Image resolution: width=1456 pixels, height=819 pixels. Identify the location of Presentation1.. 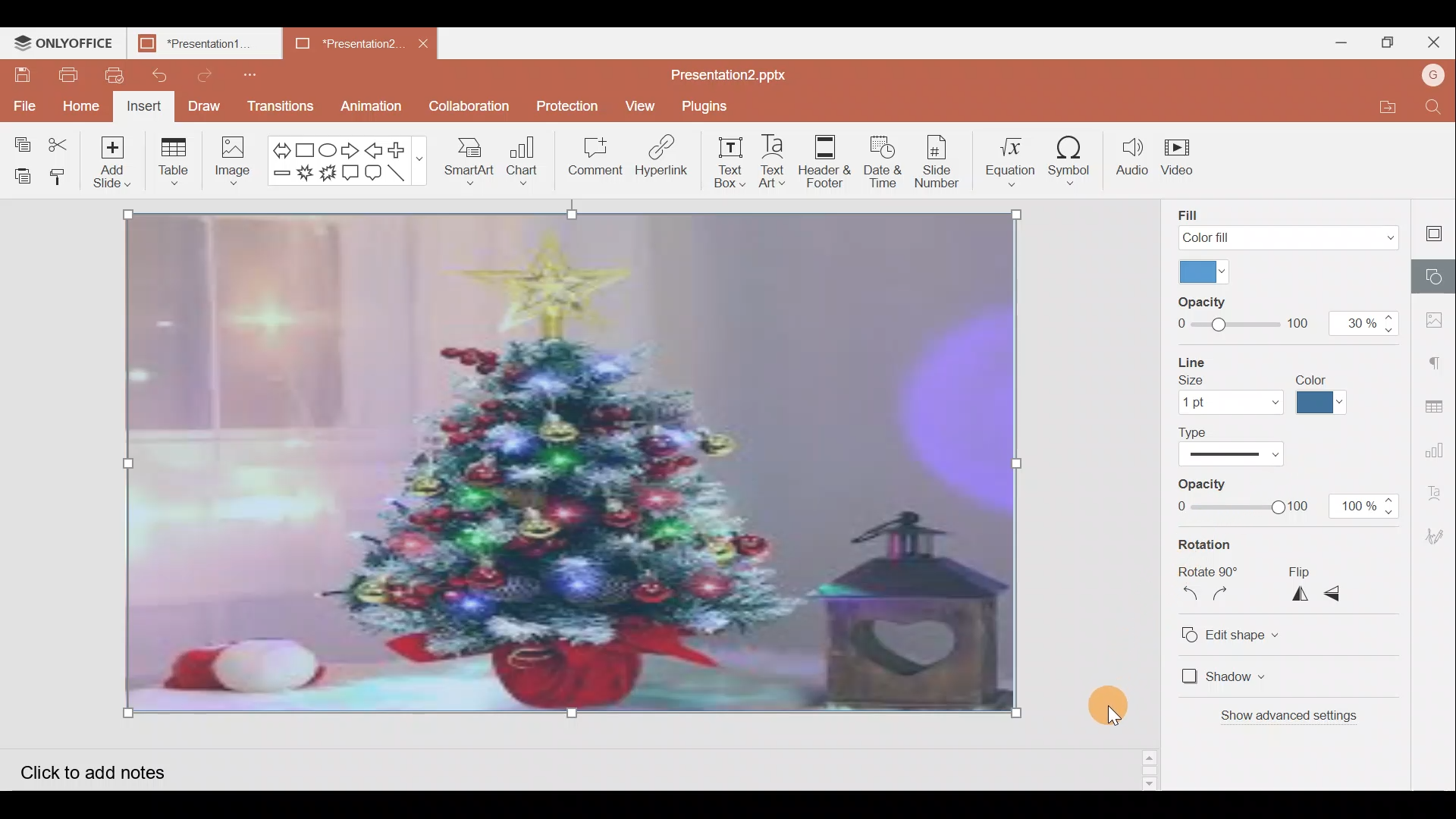
(199, 44).